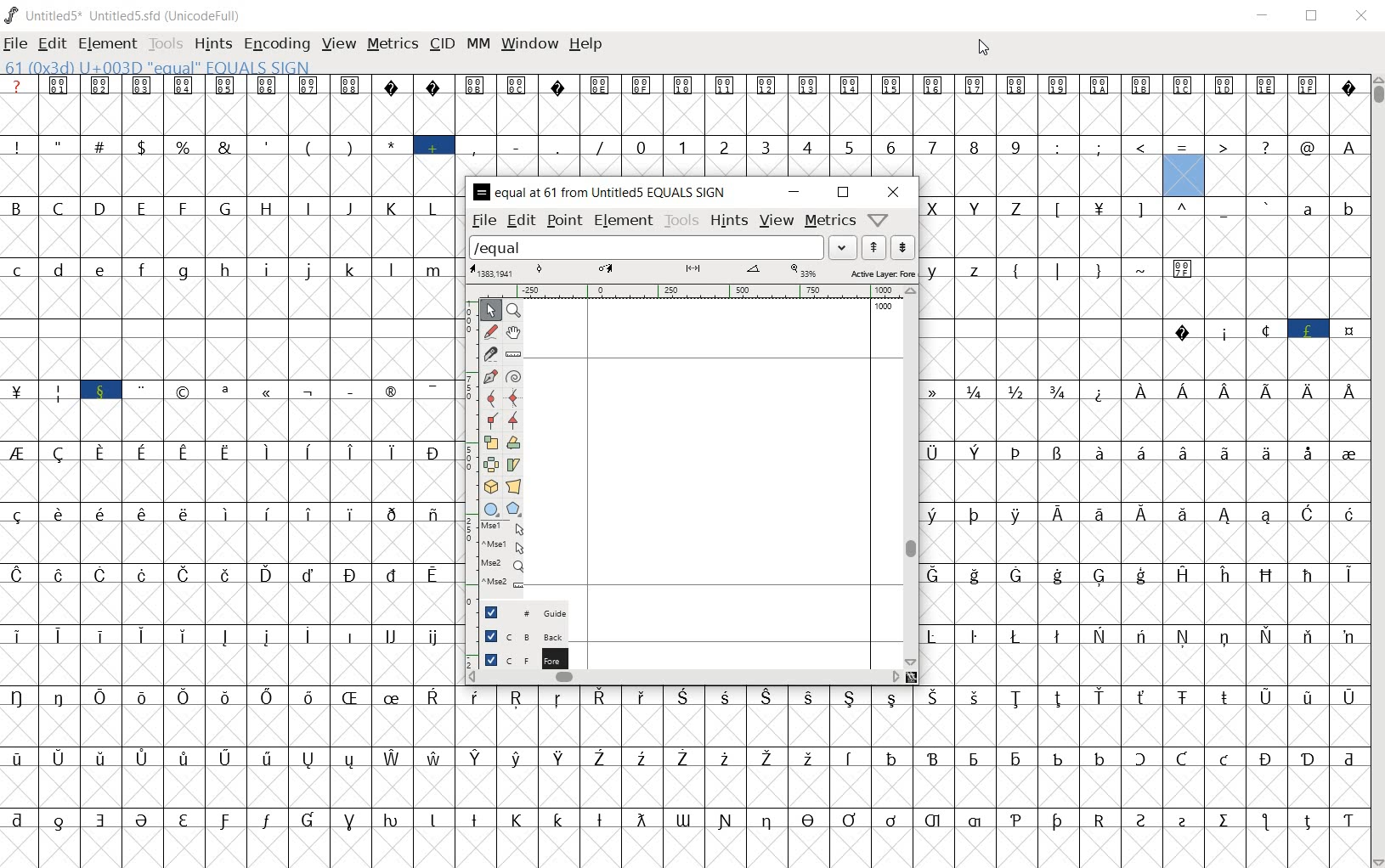 The height and width of the screenshot is (868, 1385). Describe the element at coordinates (478, 45) in the screenshot. I see `mm` at that location.